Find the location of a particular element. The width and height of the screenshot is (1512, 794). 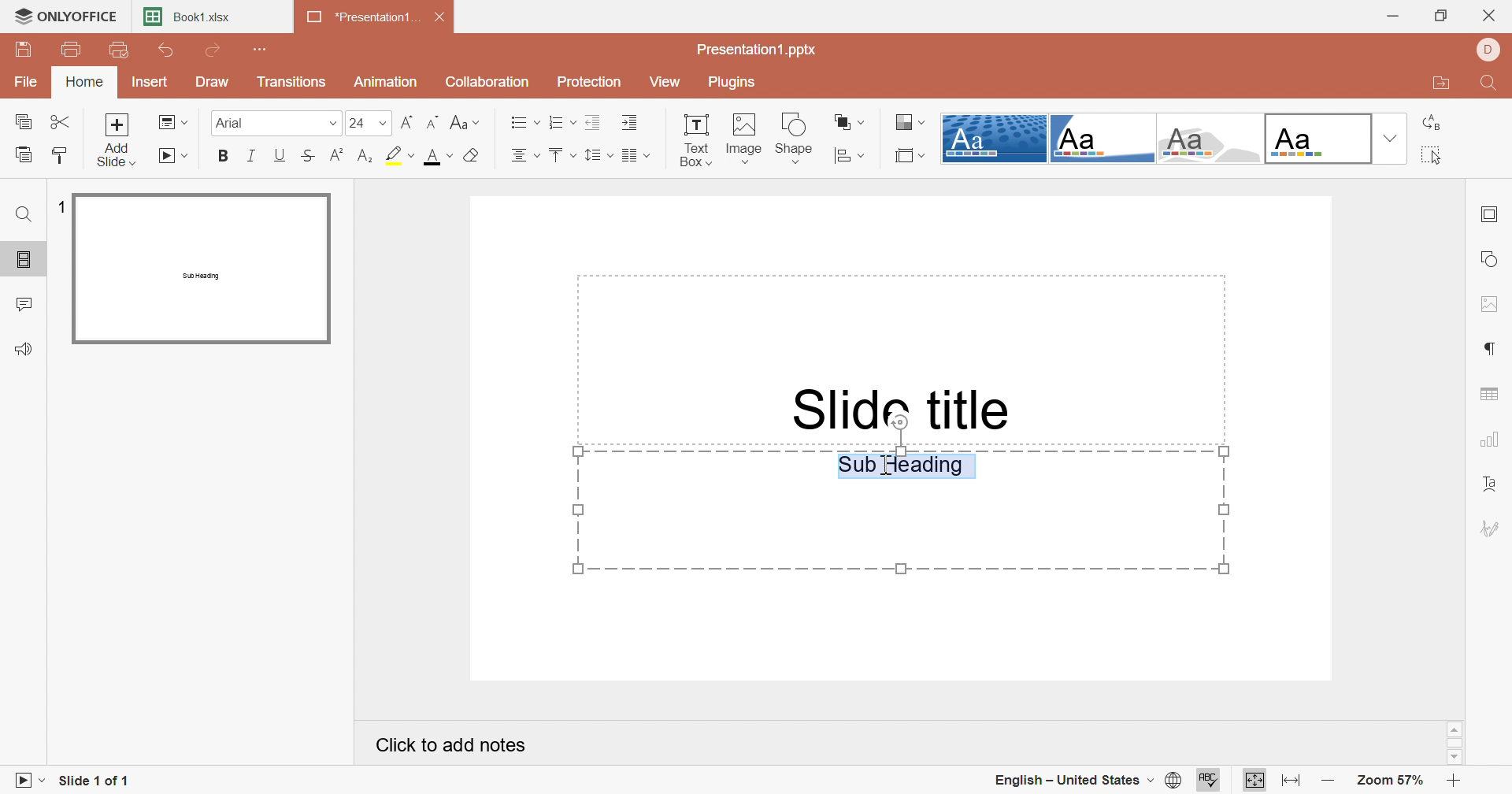

Comments is located at coordinates (28, 303).